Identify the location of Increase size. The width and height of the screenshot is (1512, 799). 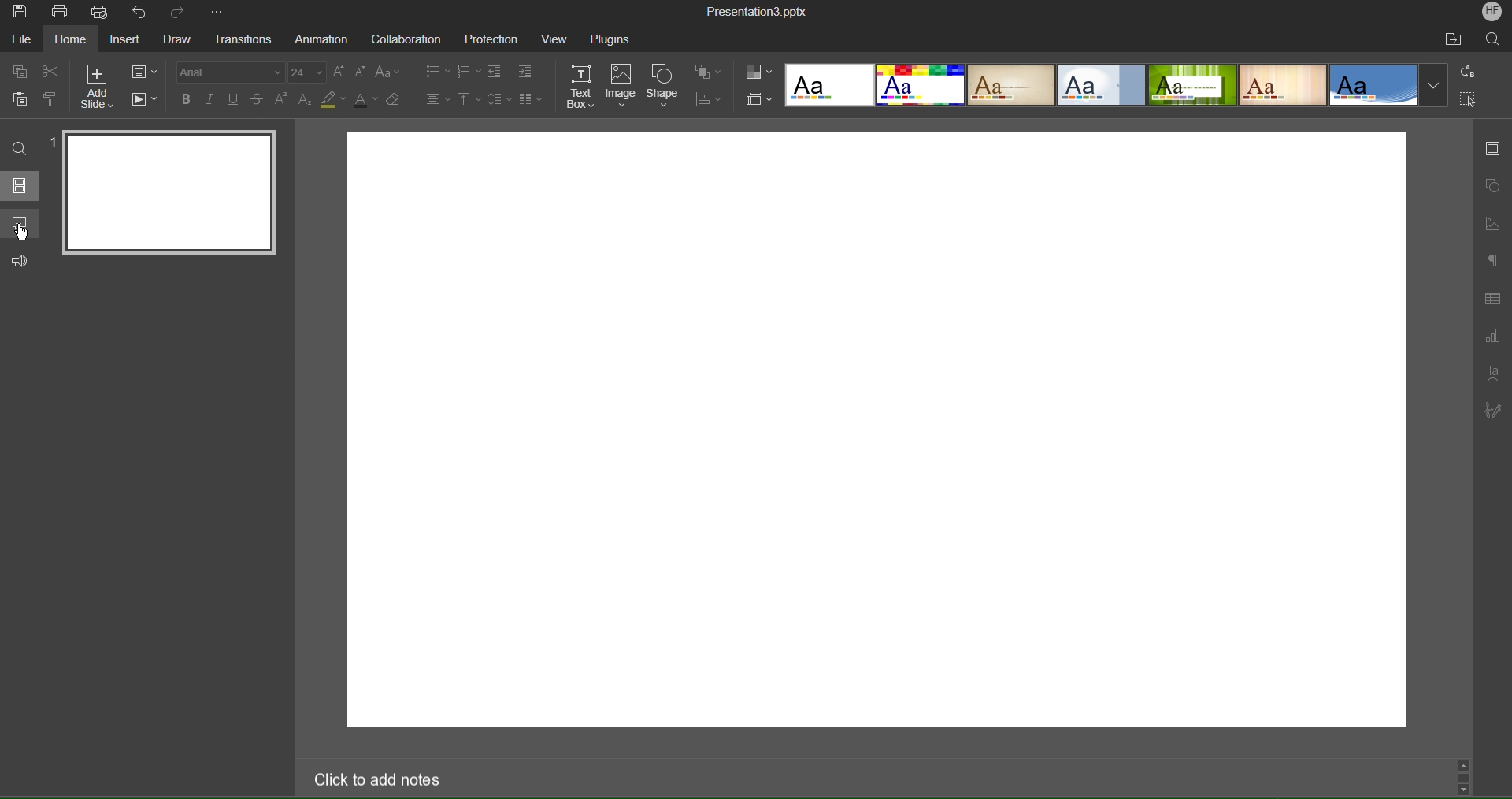
(339, 73).